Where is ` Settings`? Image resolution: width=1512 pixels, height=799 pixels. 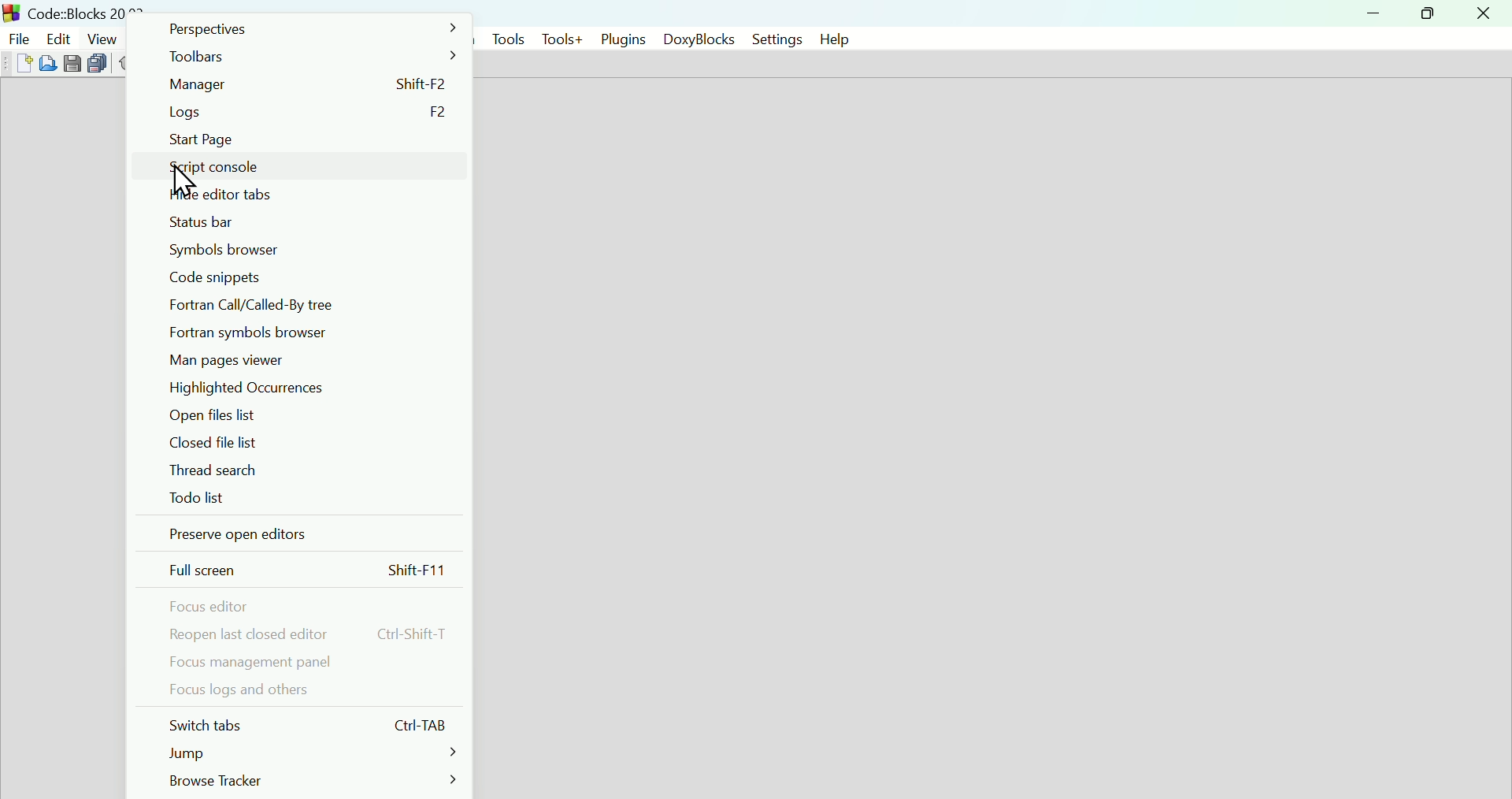
 Settings is located at coordinates (770, 39).